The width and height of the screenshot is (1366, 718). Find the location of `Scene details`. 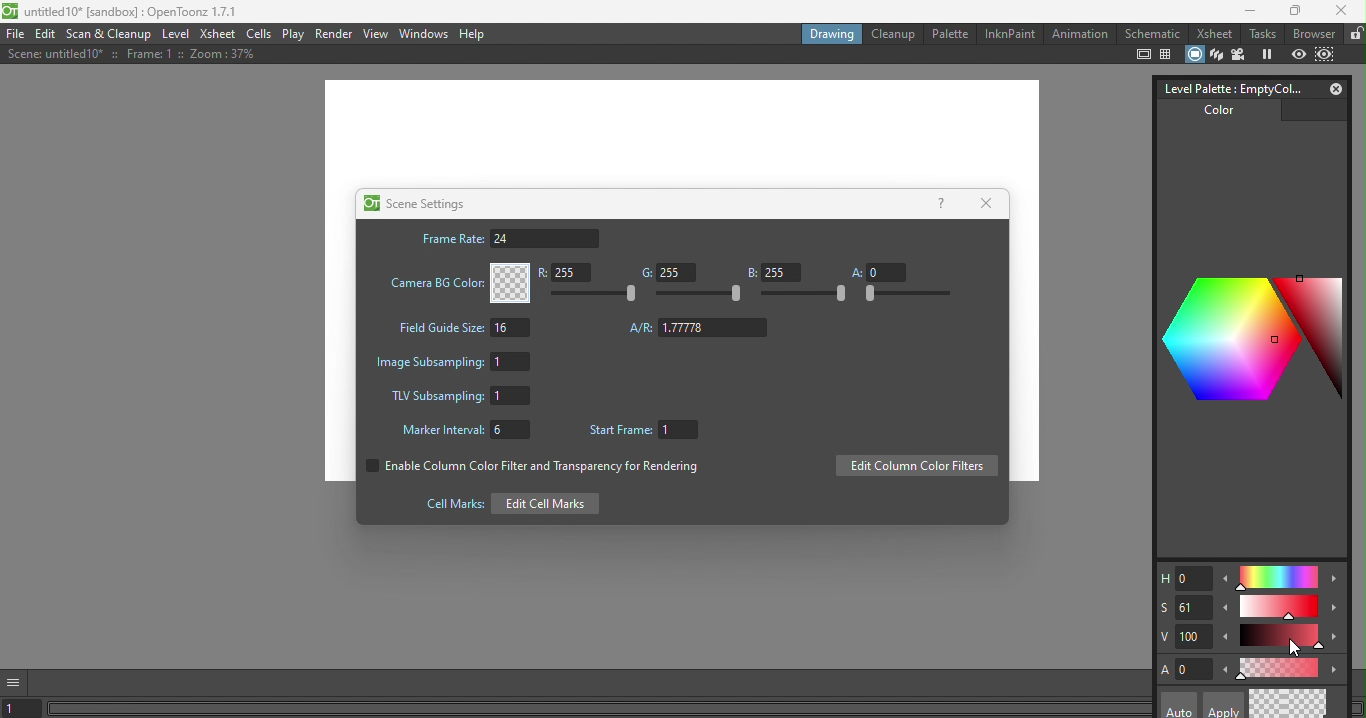

Scene details is located at coordinates (127, 56).